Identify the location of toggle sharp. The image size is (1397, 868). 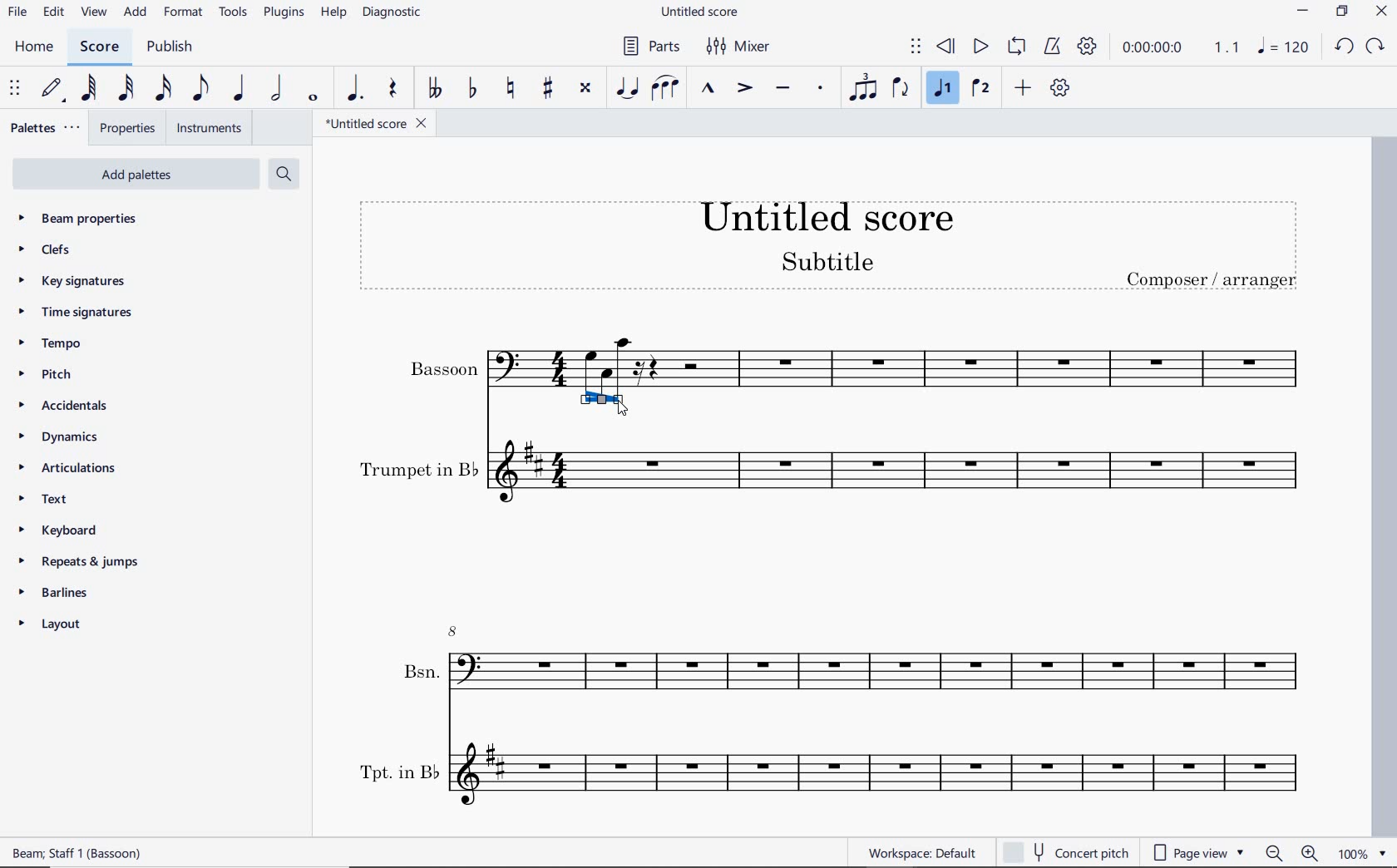
(547, 89).